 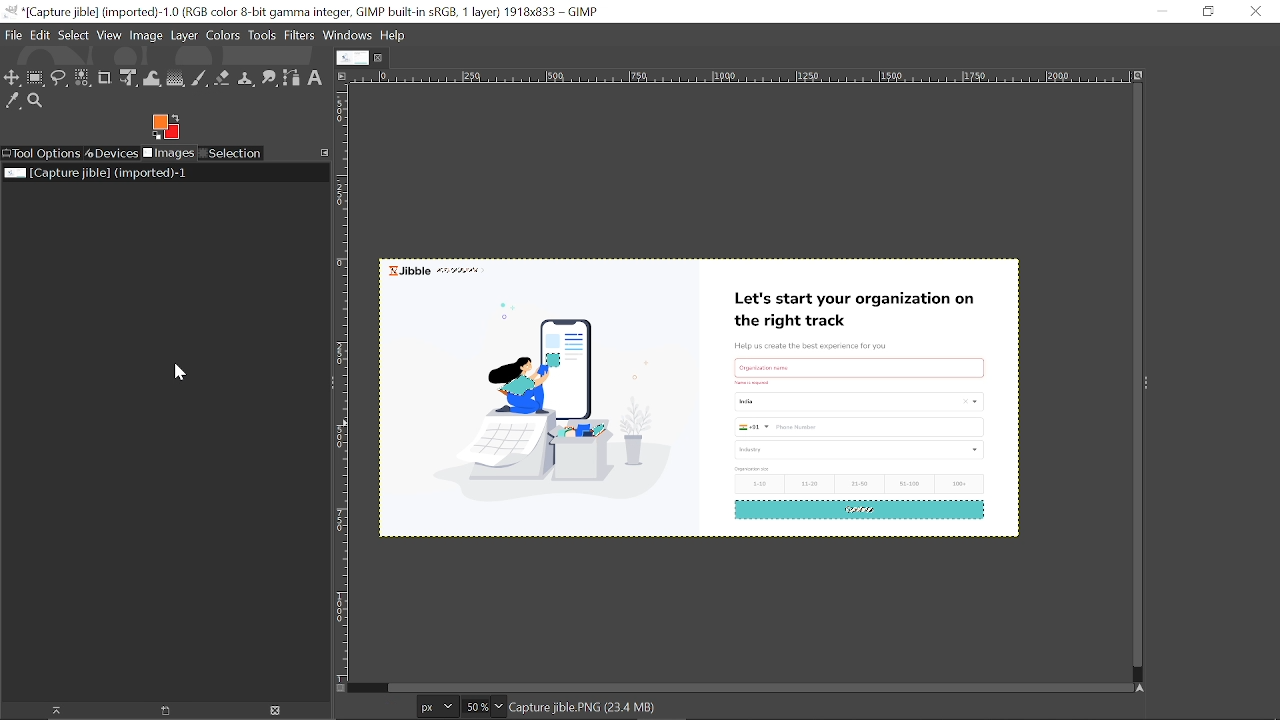 What do you see at coordinates (1152, 384) in the screenshot?
I see `Sidebar menu` at bounding box center [1152, 384].